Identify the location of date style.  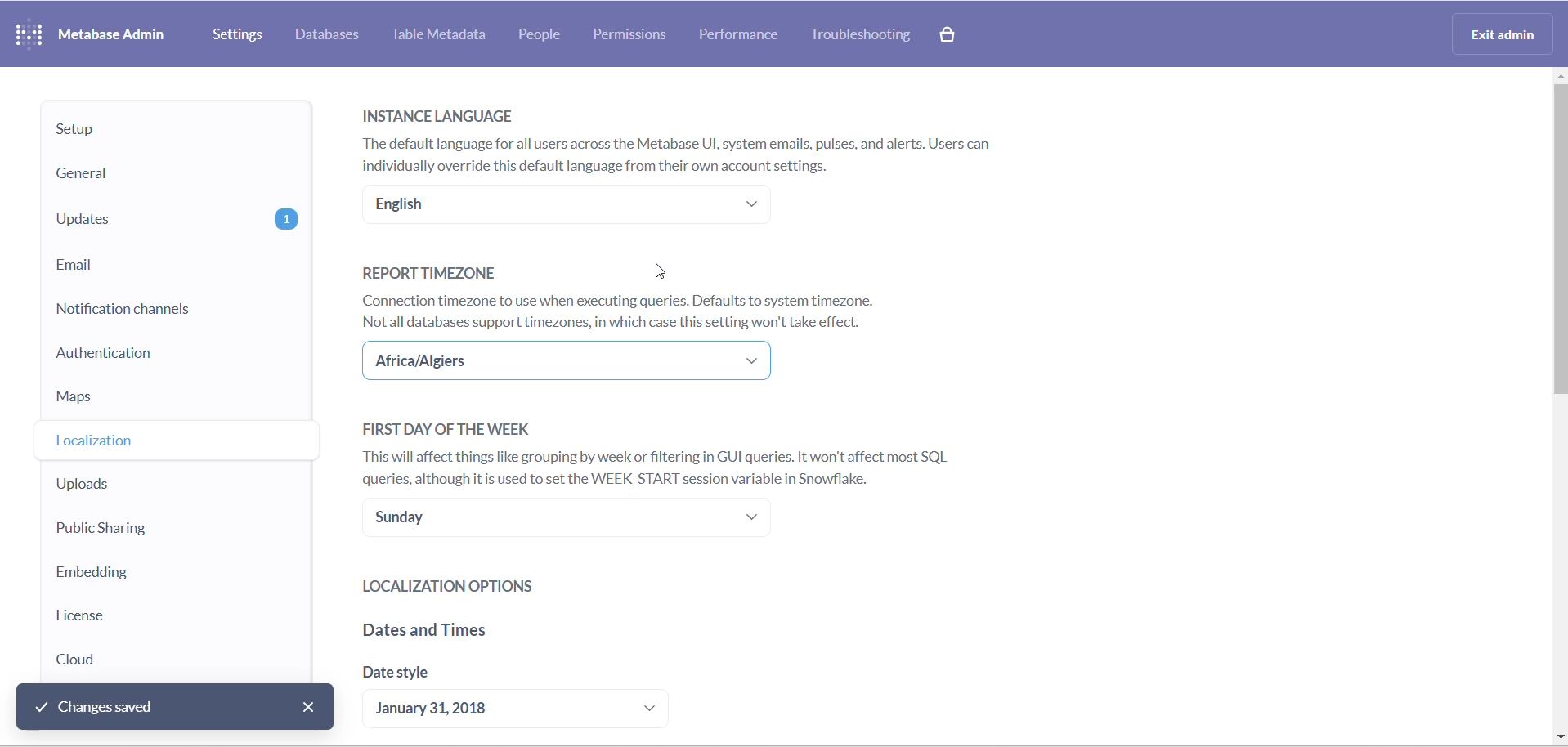
(486, 678).